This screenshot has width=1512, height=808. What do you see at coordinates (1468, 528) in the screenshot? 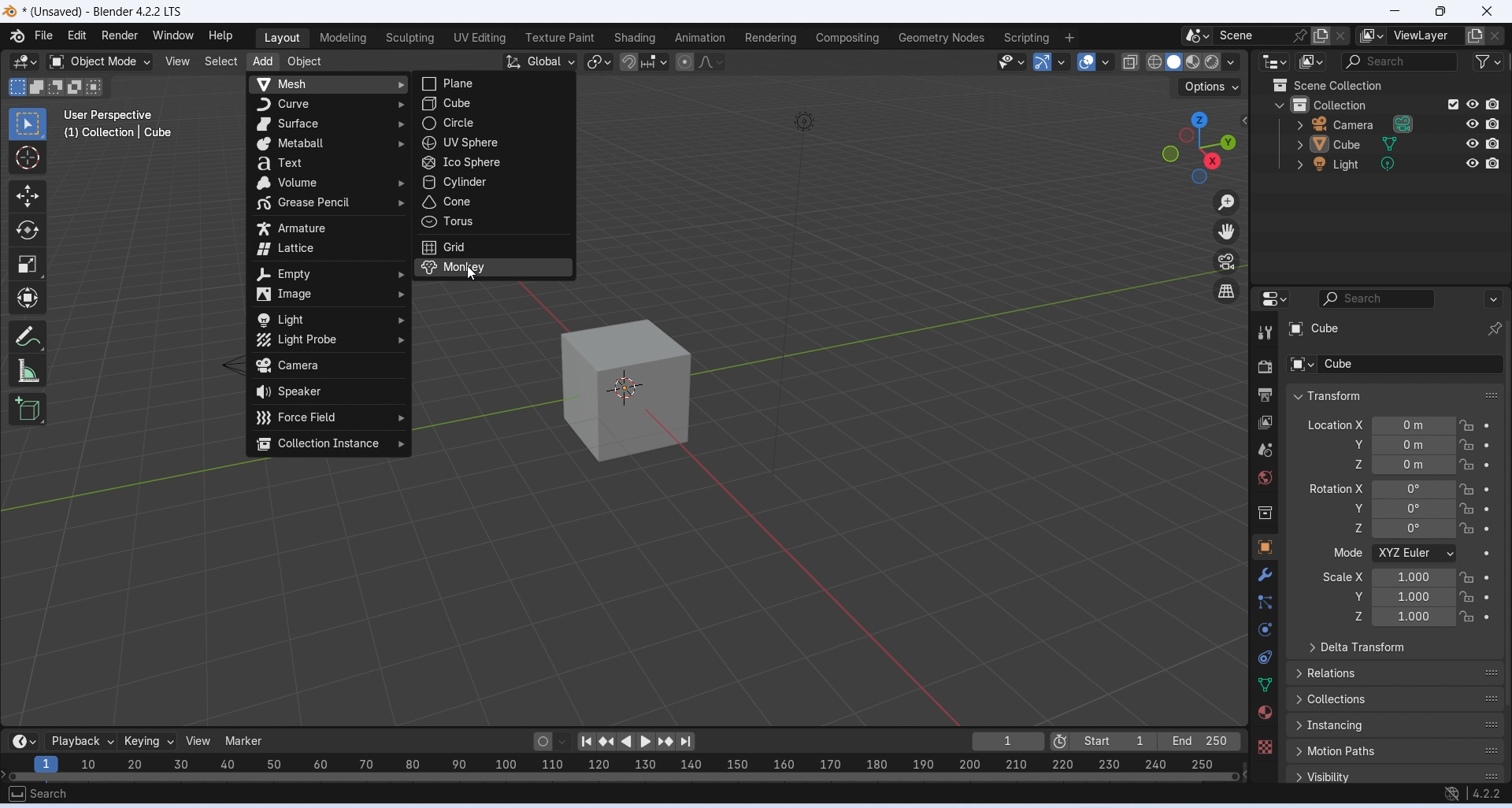
I see `lock location` at bounding box center [1468, 528].